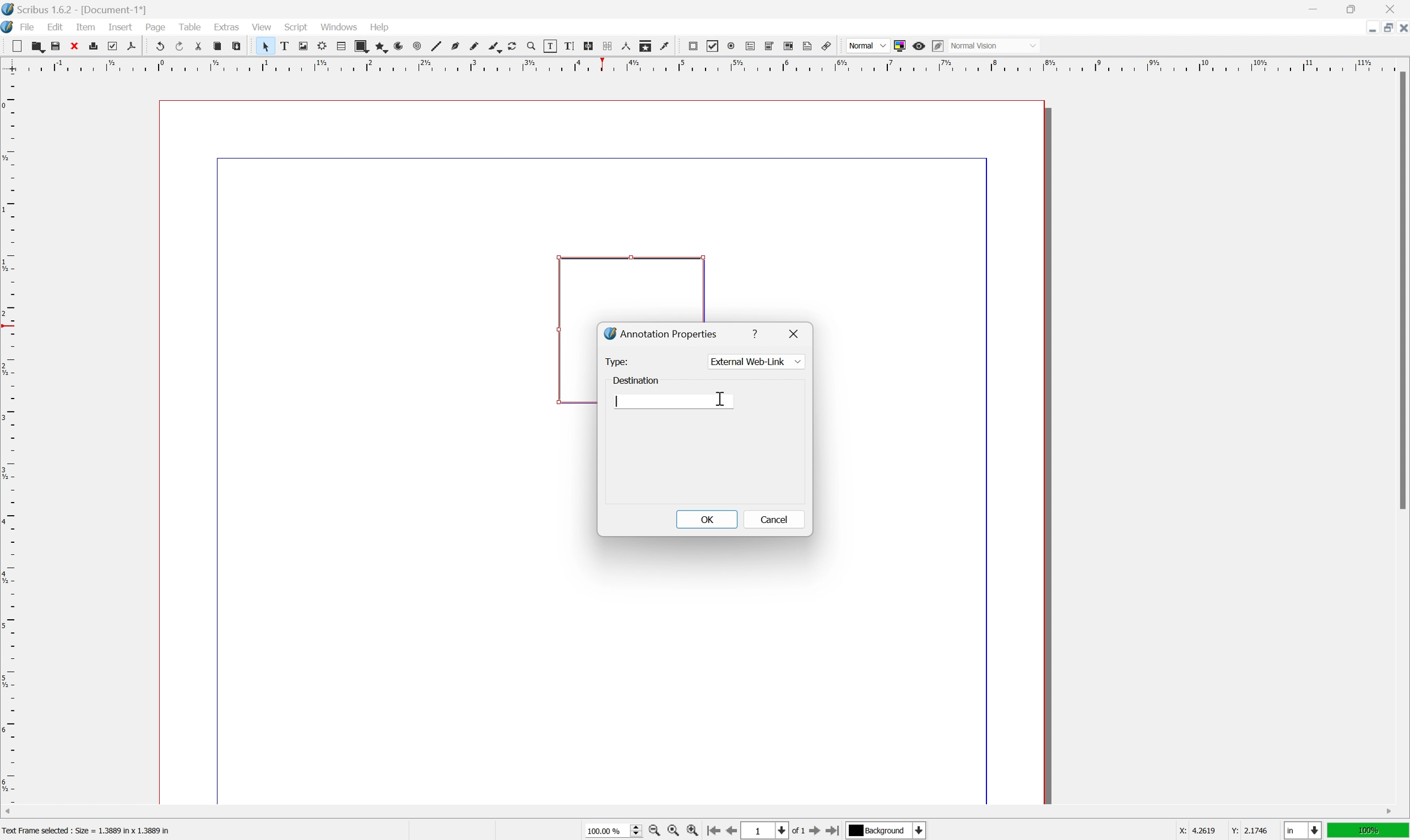 The height and width of the screenshot is (840, 1410). What do you see at coordinates (774, 832) in the screenshot?
I see `select current page` at bounding box center [774, 832].